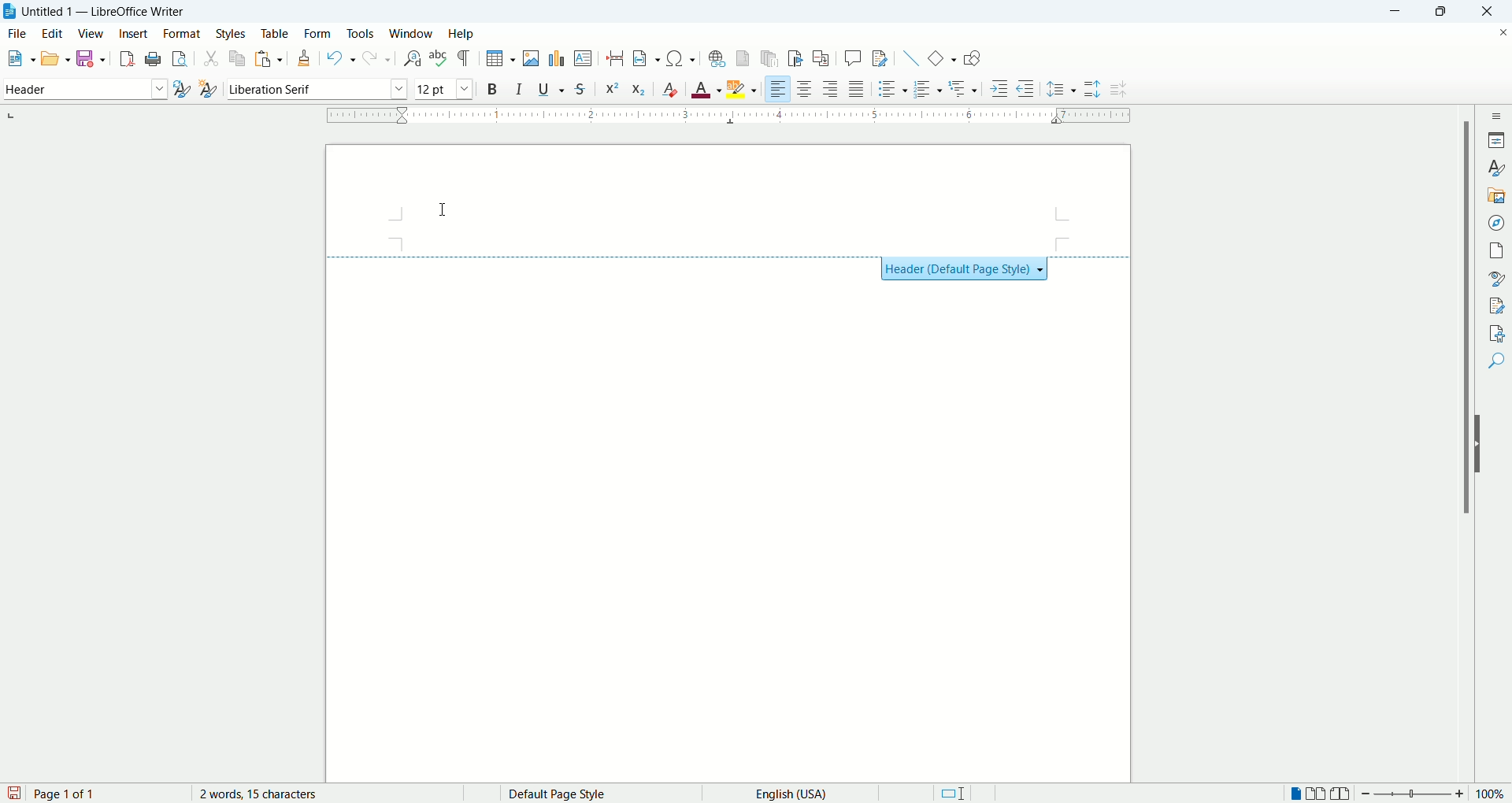  Describe the element at coordinates (93, 58) in the screenshot. I see `save` at that location.